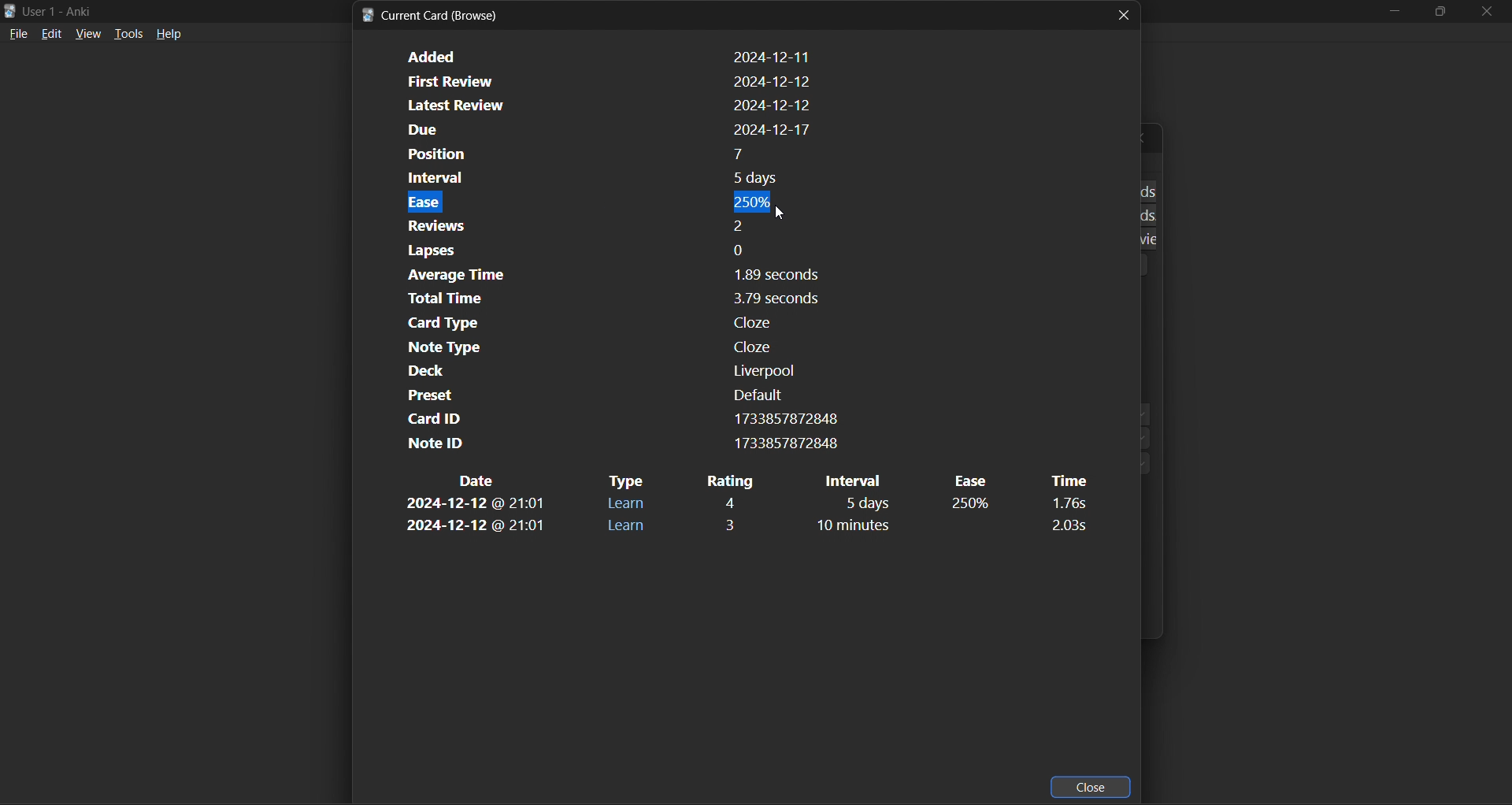  What do you see at coordinates (627, 526) in the screenshot?
I see `type` at bounding box center [627, 526].